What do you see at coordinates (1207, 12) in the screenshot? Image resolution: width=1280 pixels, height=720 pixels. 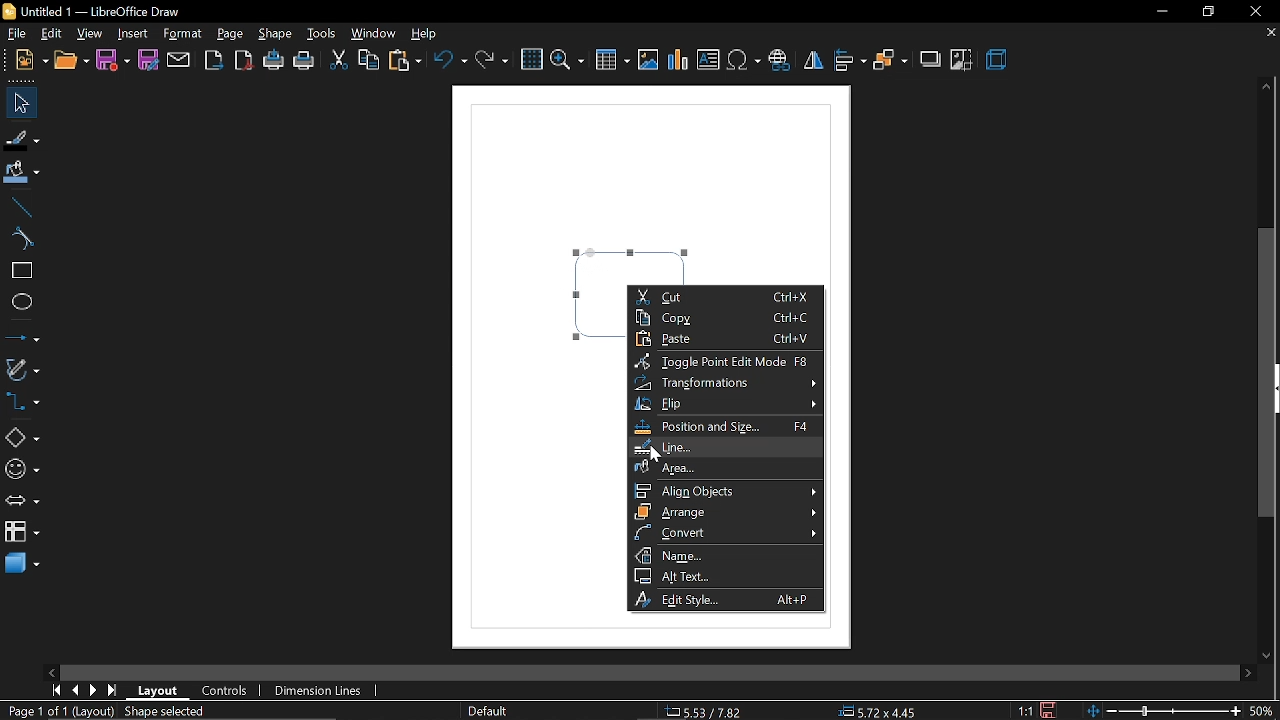 I see `restore down` at bounding box center [1207, 12].